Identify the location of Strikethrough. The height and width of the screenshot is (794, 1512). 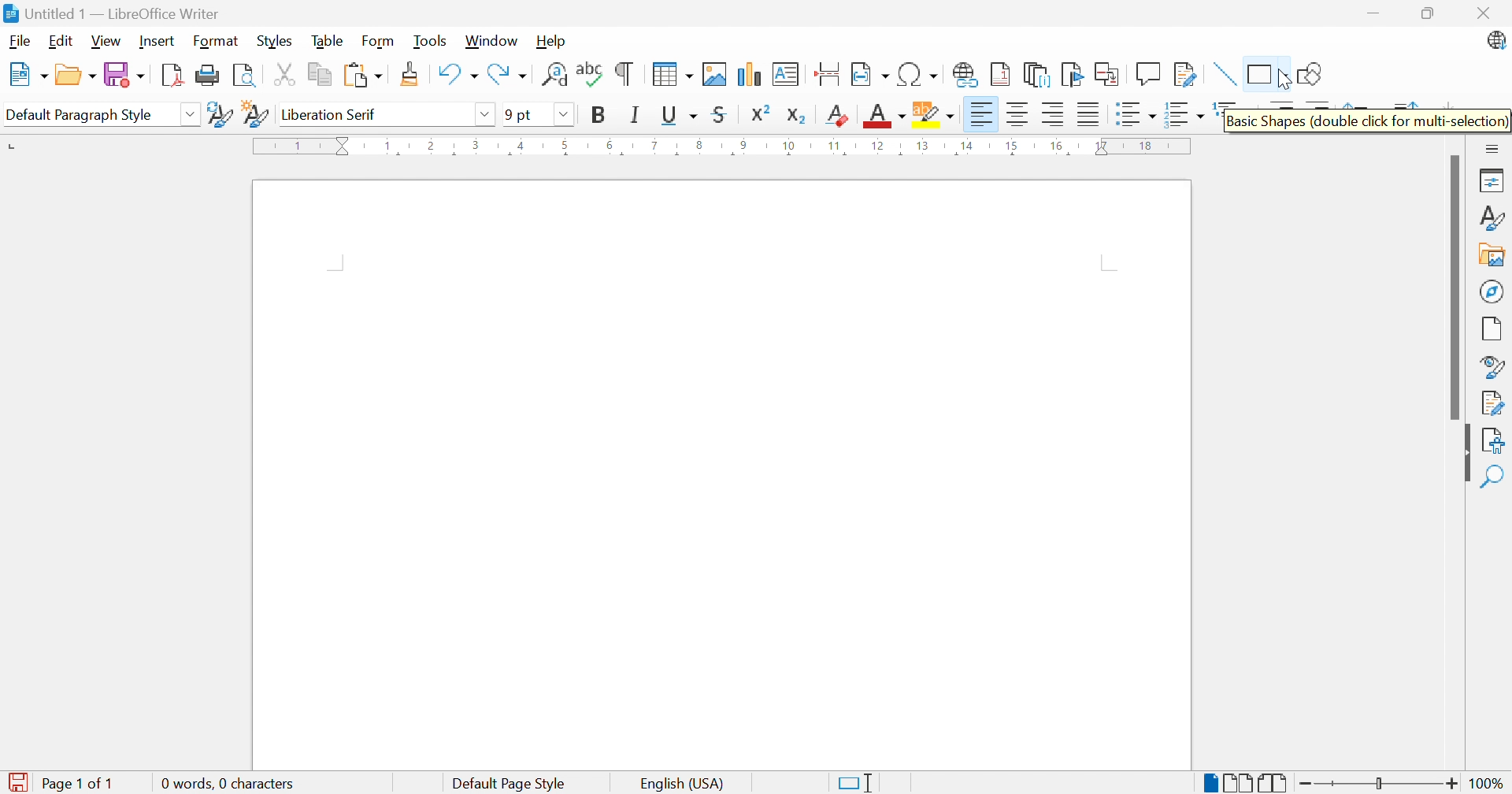
(719, 114).